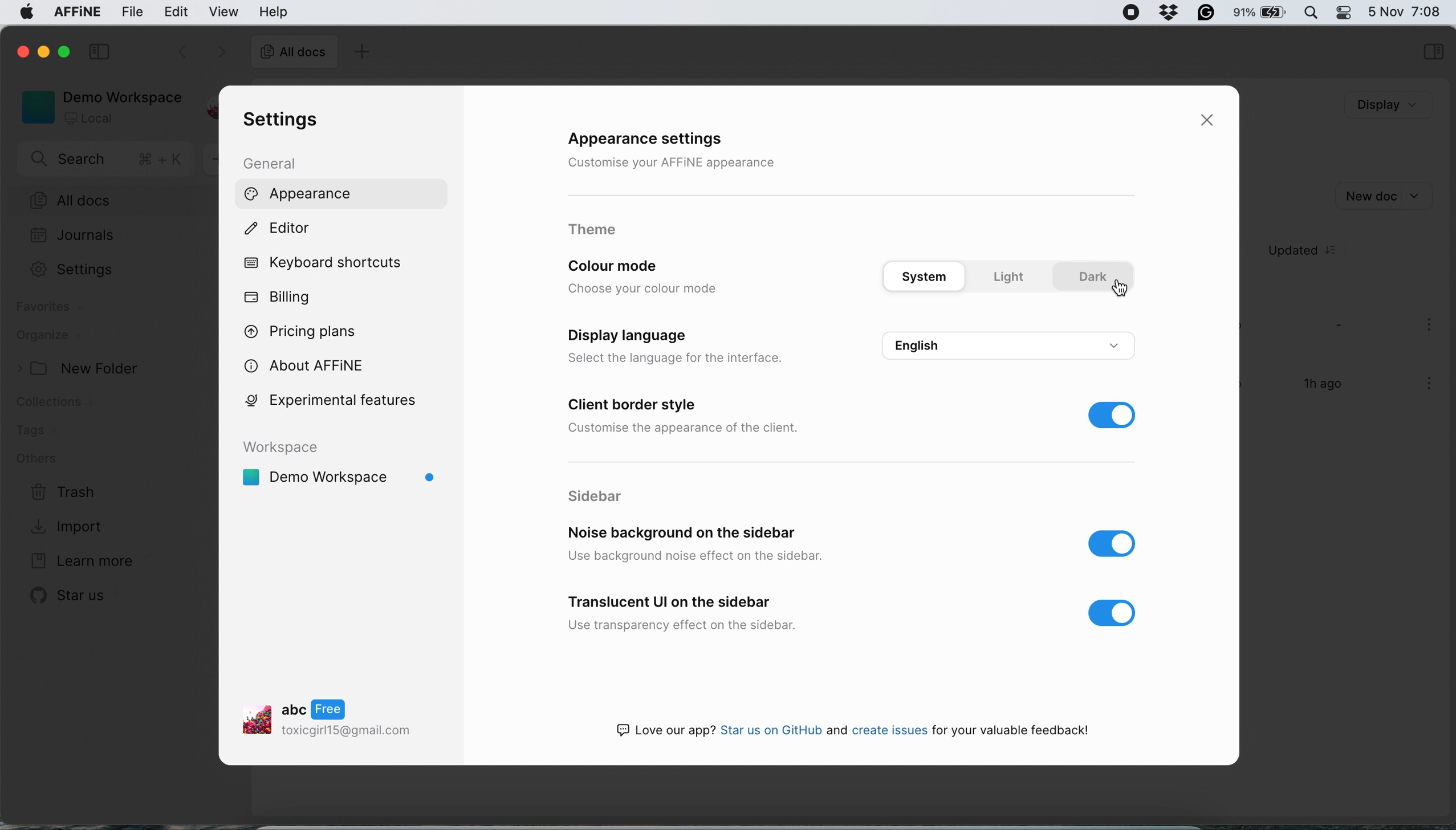 The width and height of the screenshot is (1456, 830). Describe the element at coordinates (688, 359) in the screenshot. I see `select the language for the interface` at that location.